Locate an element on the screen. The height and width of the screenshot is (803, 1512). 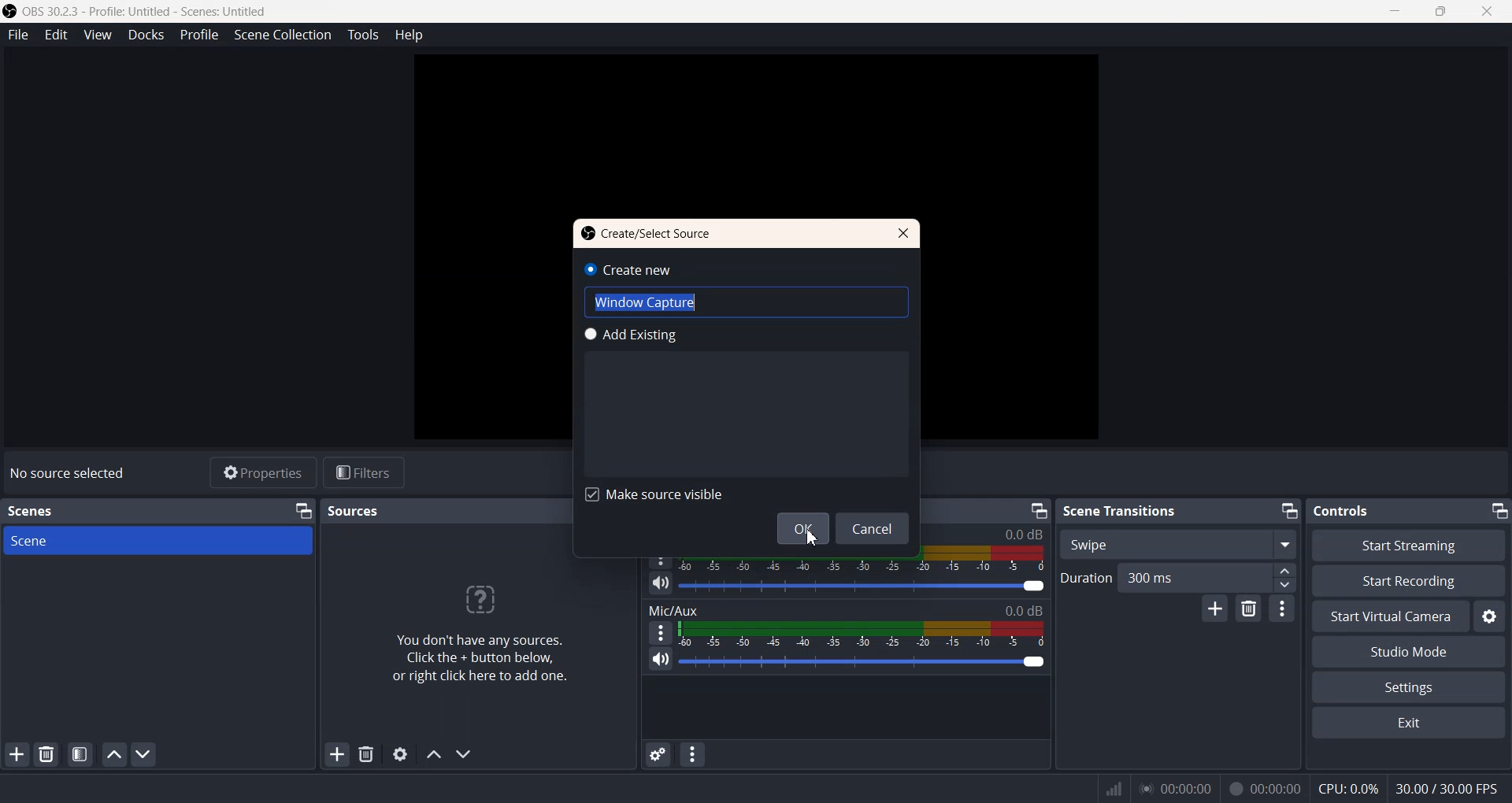
Close is located at coordinates (902, 233).